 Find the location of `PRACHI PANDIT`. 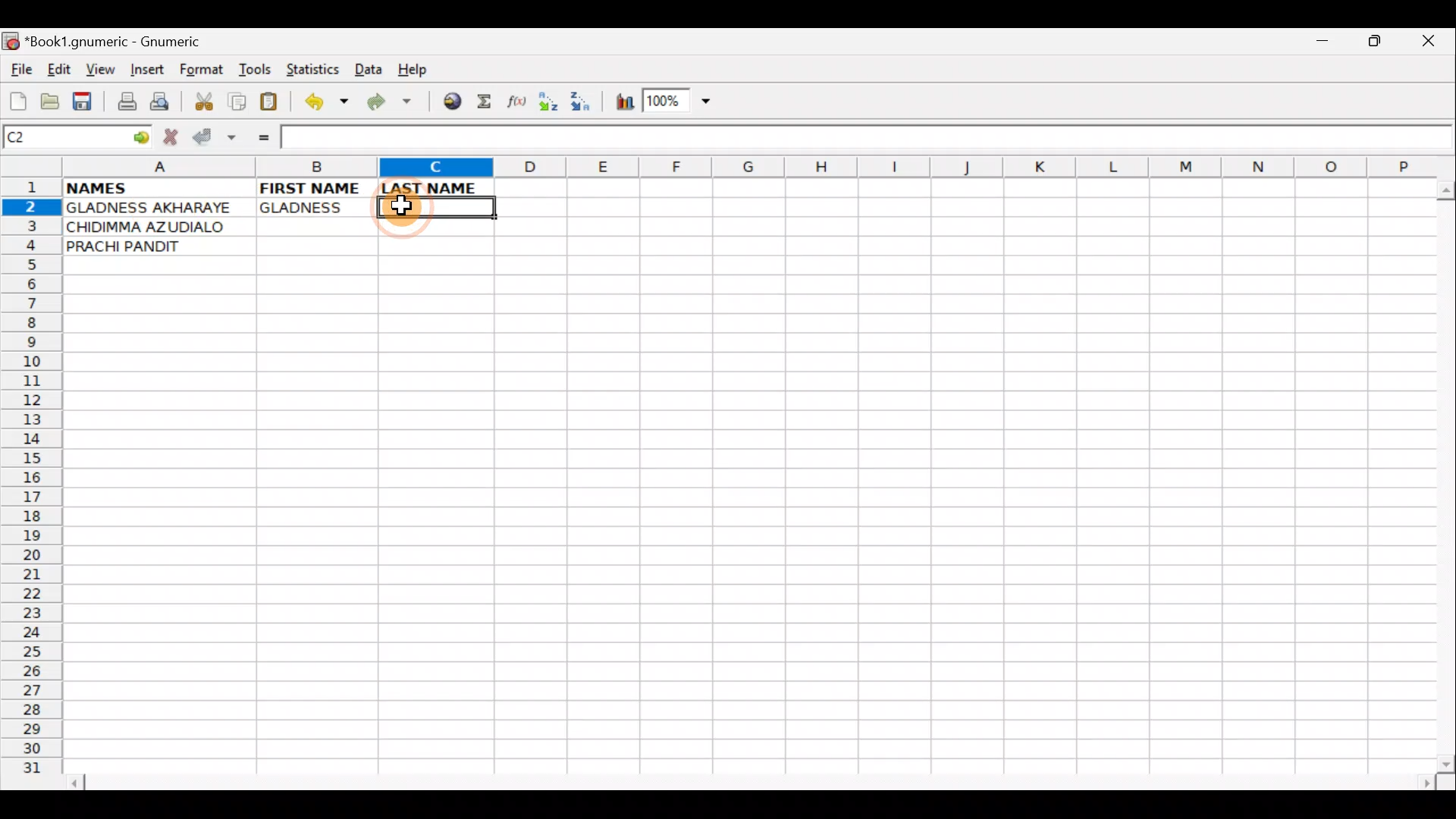

PRACHI PANDIT is located at coordinates (149, 246).